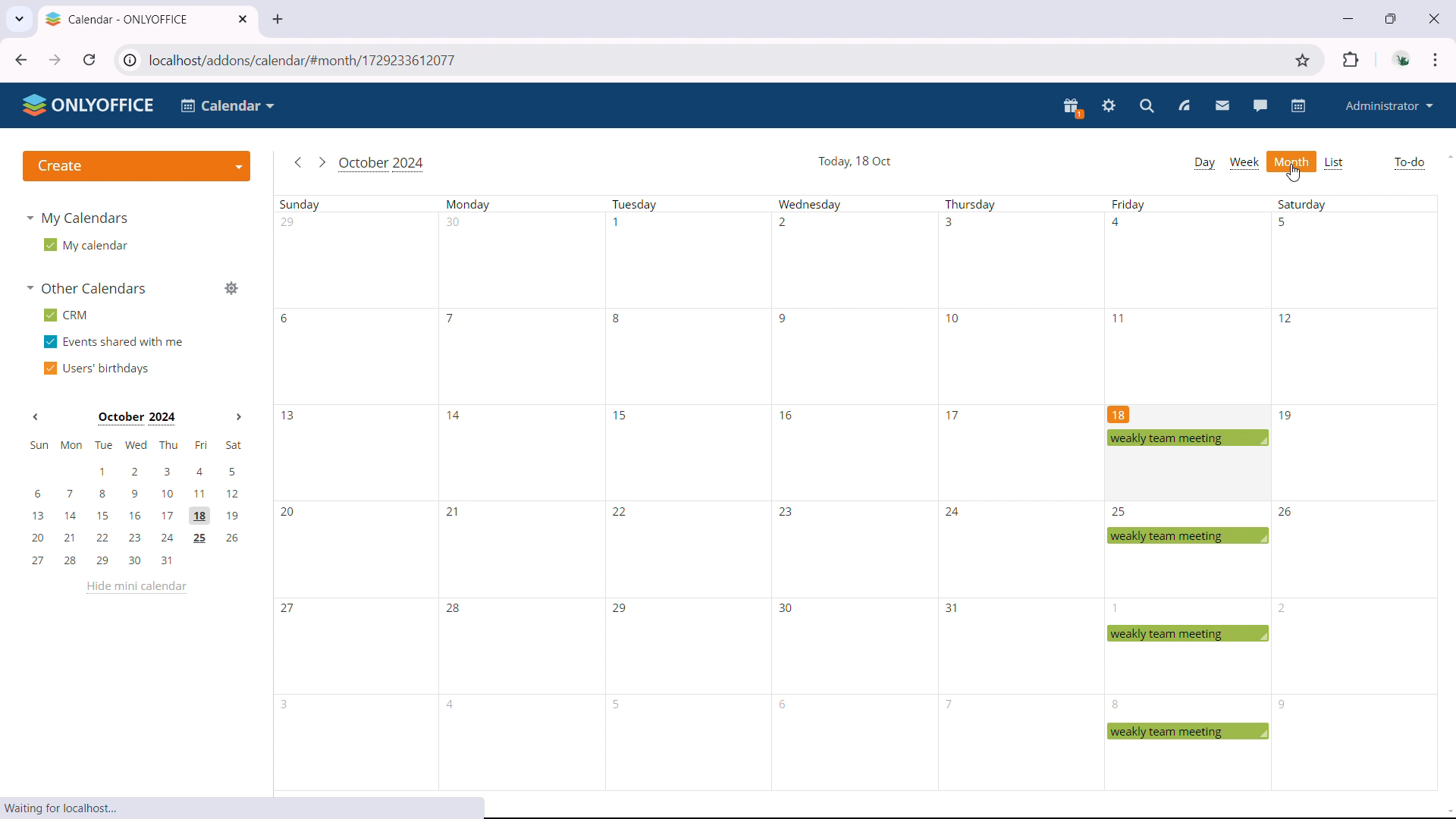 The height and width of the screenshot is (819, 1456). I want to click on account, so click(1403, 58).